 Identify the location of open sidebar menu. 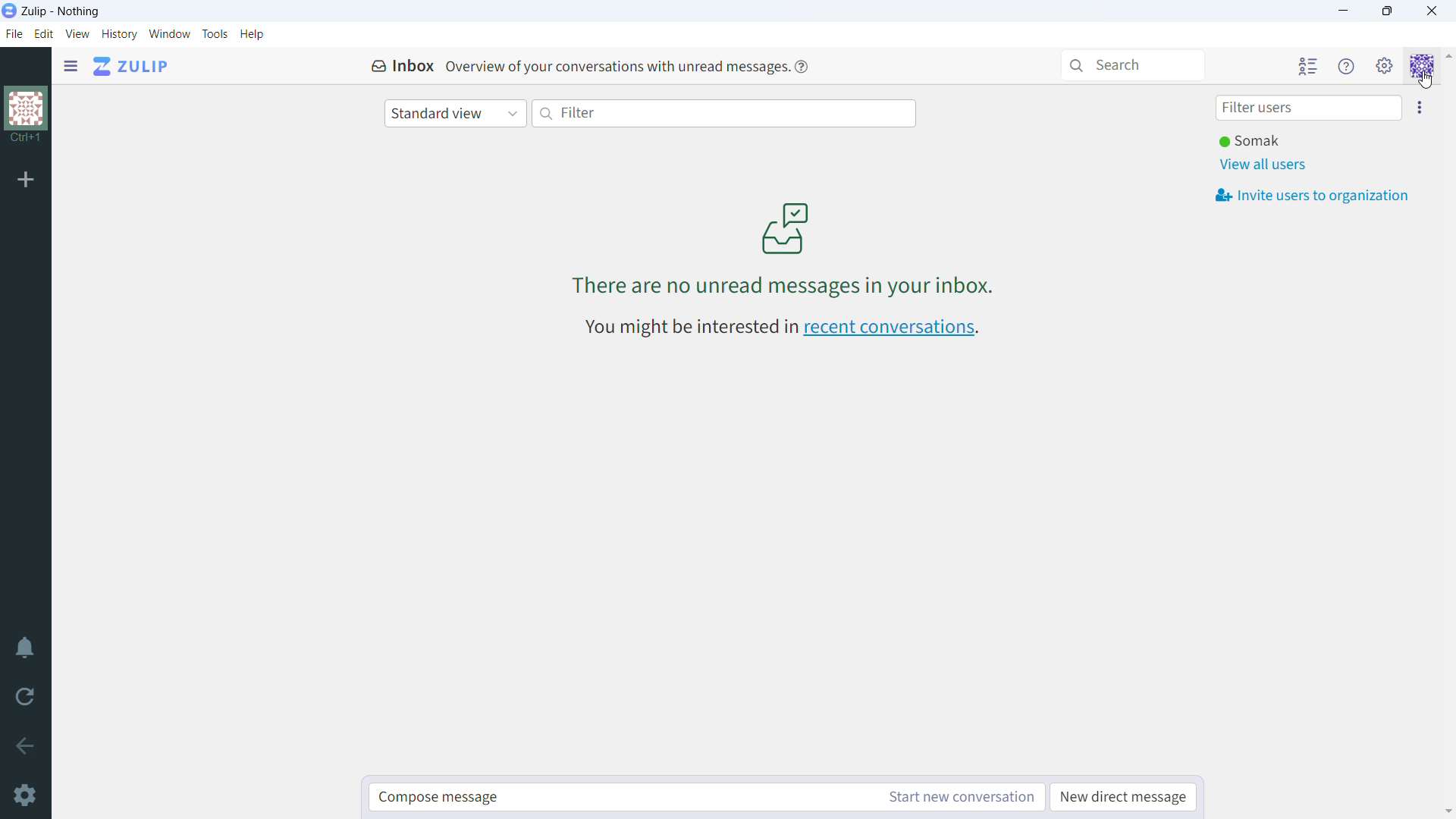
(71, 66).